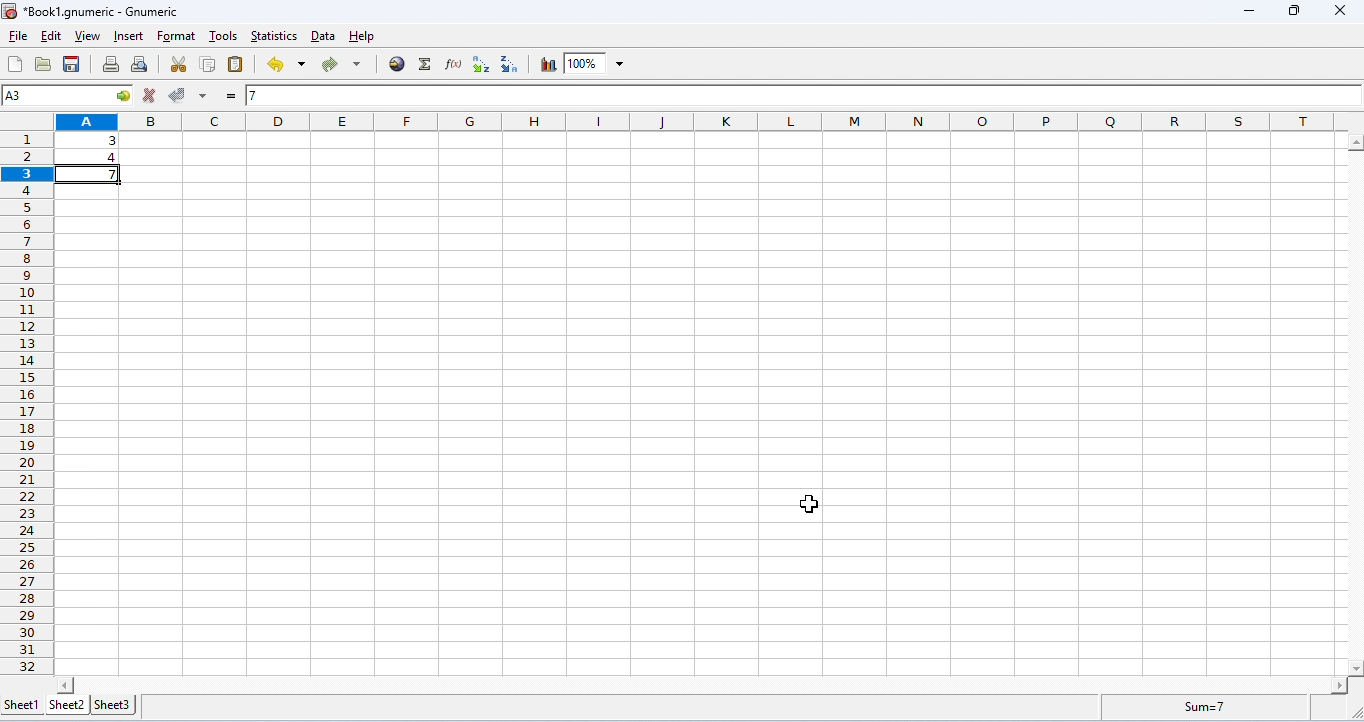  I want to click on copy, so click(209, 65).